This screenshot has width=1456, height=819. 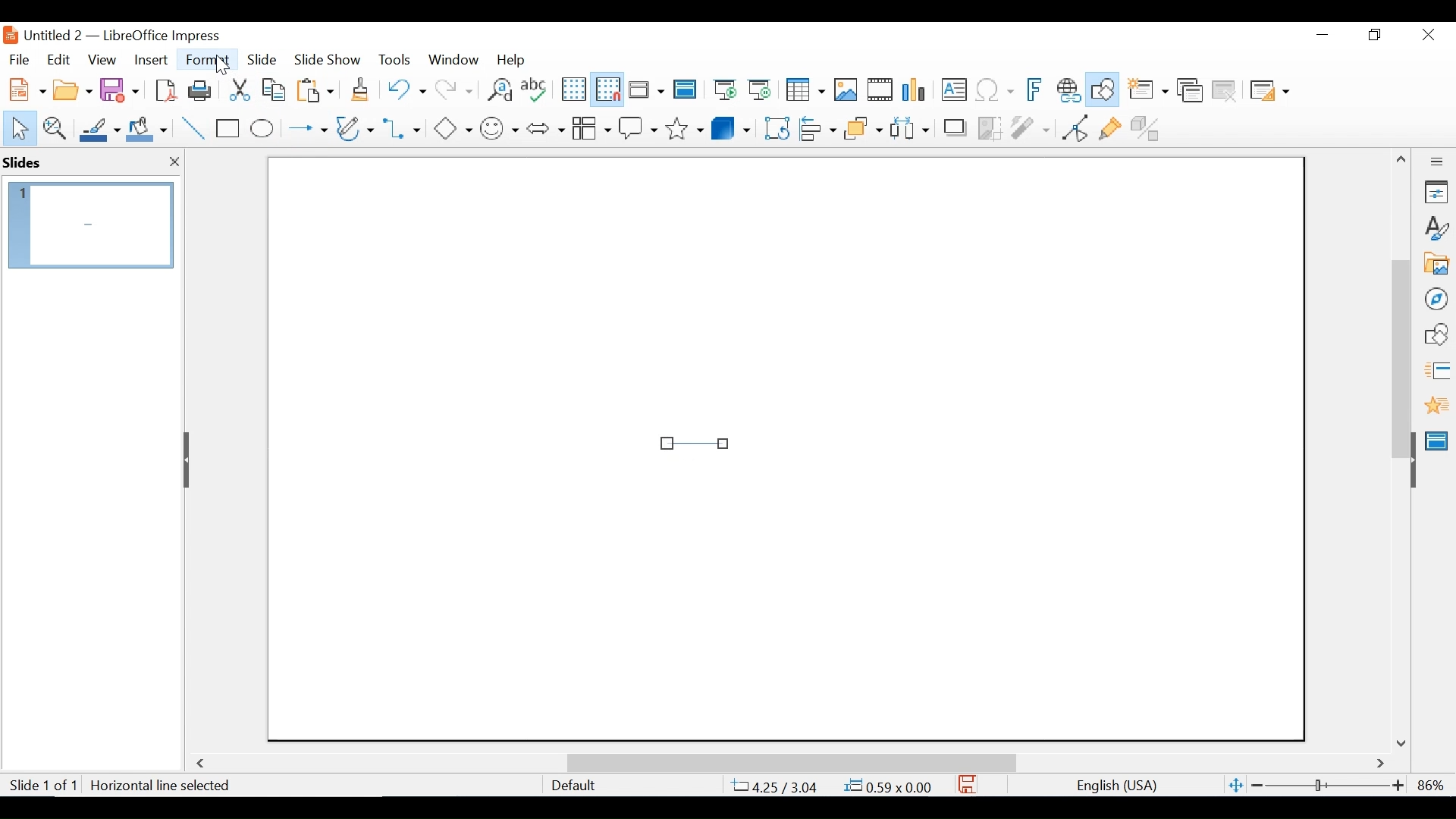 What do you see at coordinates (1436, 334) in the screenshot?
I see `Shapes` at bounding box center [1436, 334].